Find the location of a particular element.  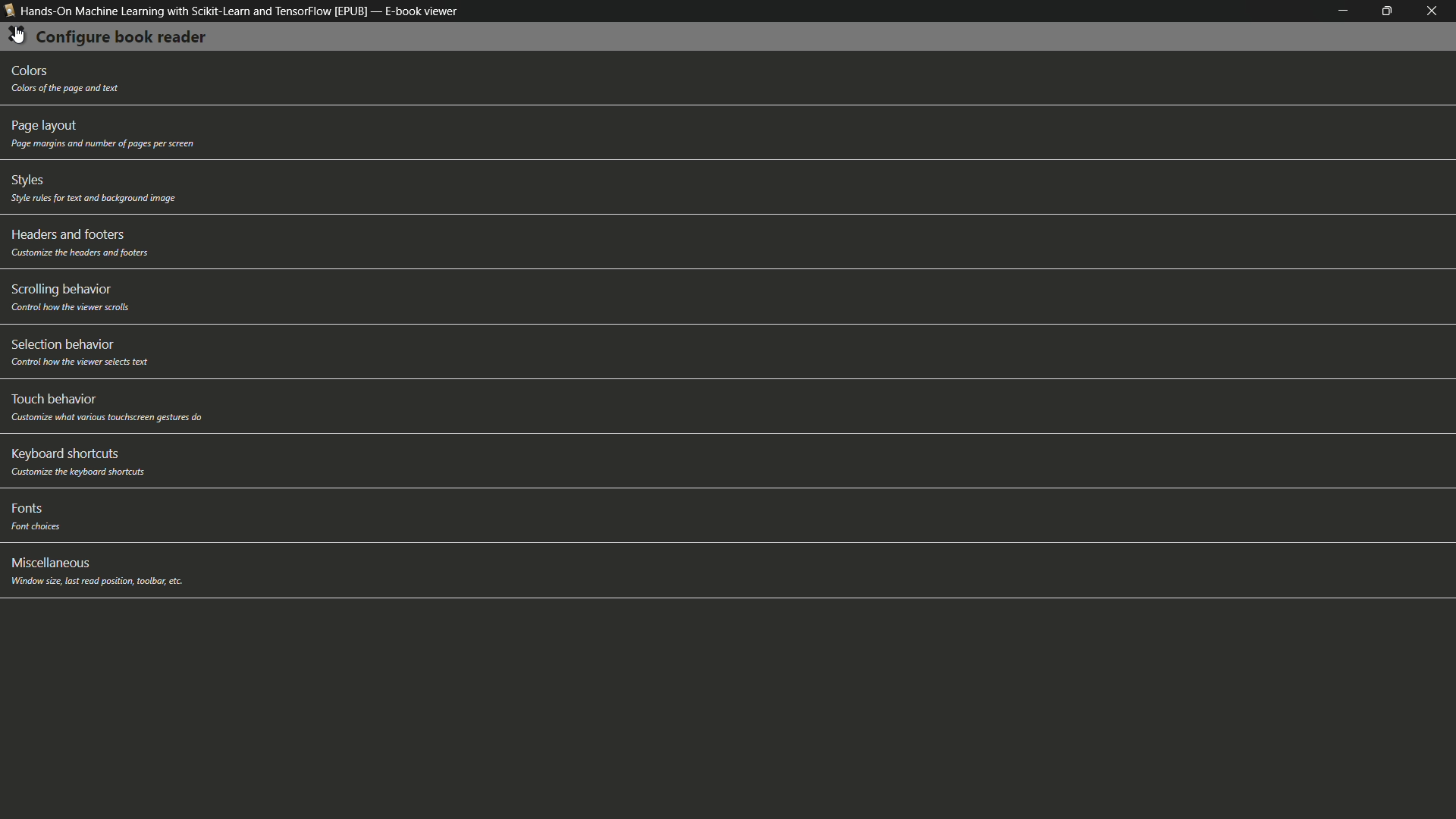

minimize is located at coordinates (1343, 11).